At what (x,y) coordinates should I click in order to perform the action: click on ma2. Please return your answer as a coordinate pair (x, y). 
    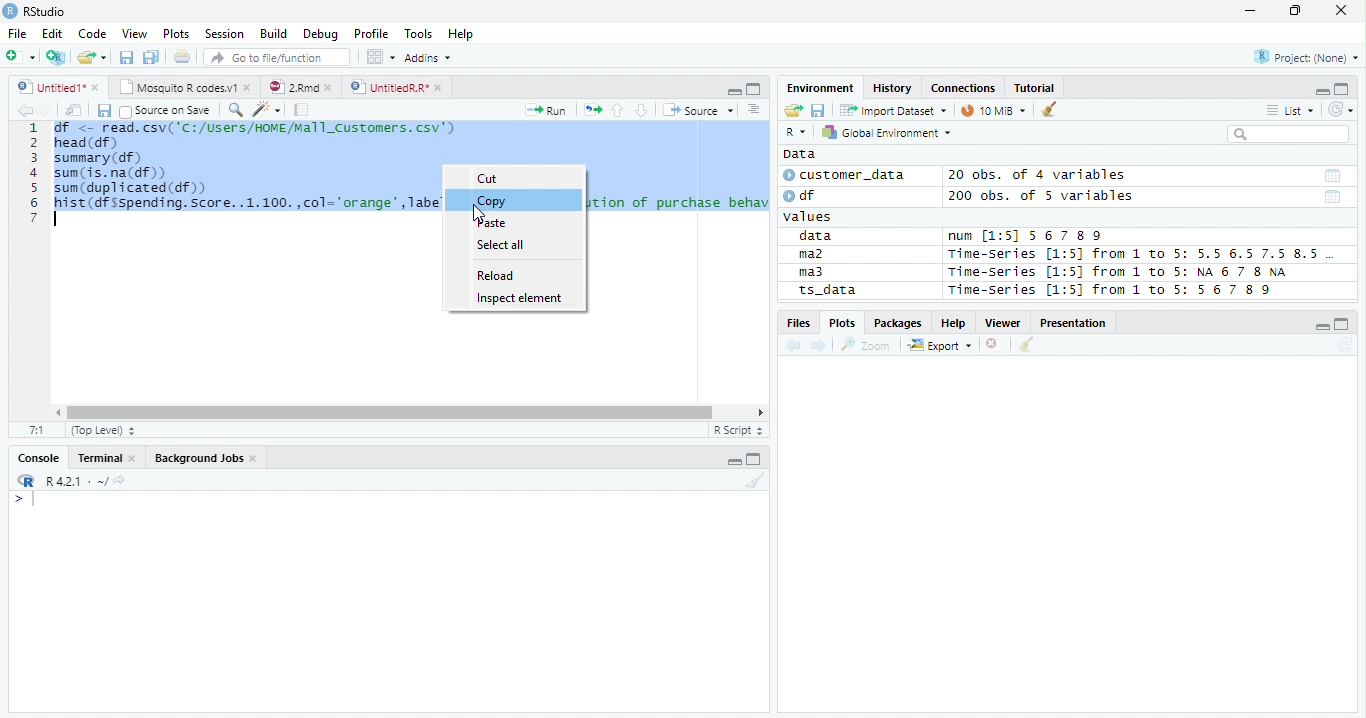
    Looking at the image, I should click on (816, 256).